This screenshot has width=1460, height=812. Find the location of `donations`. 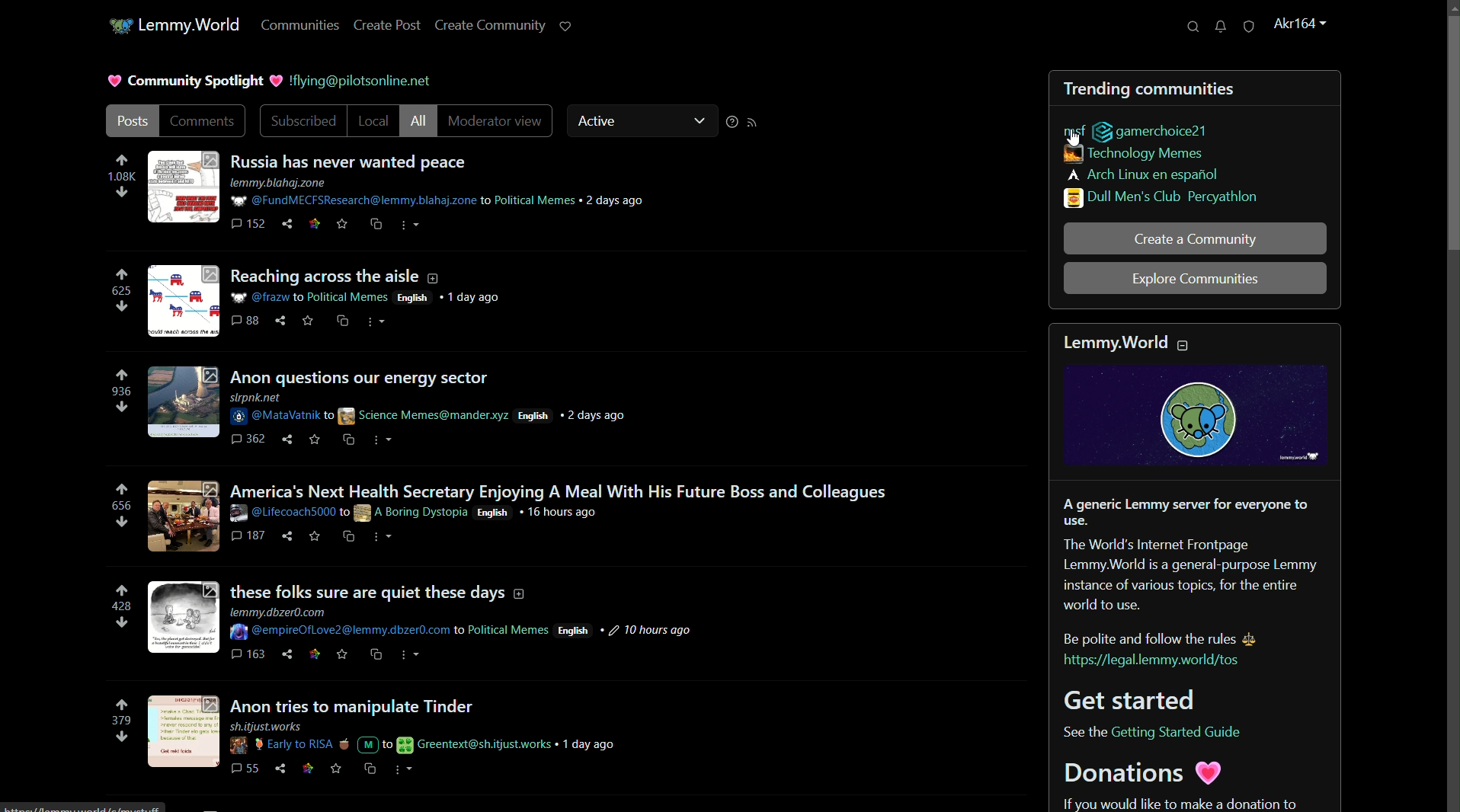

donations is located at coordinates (1139, 773).